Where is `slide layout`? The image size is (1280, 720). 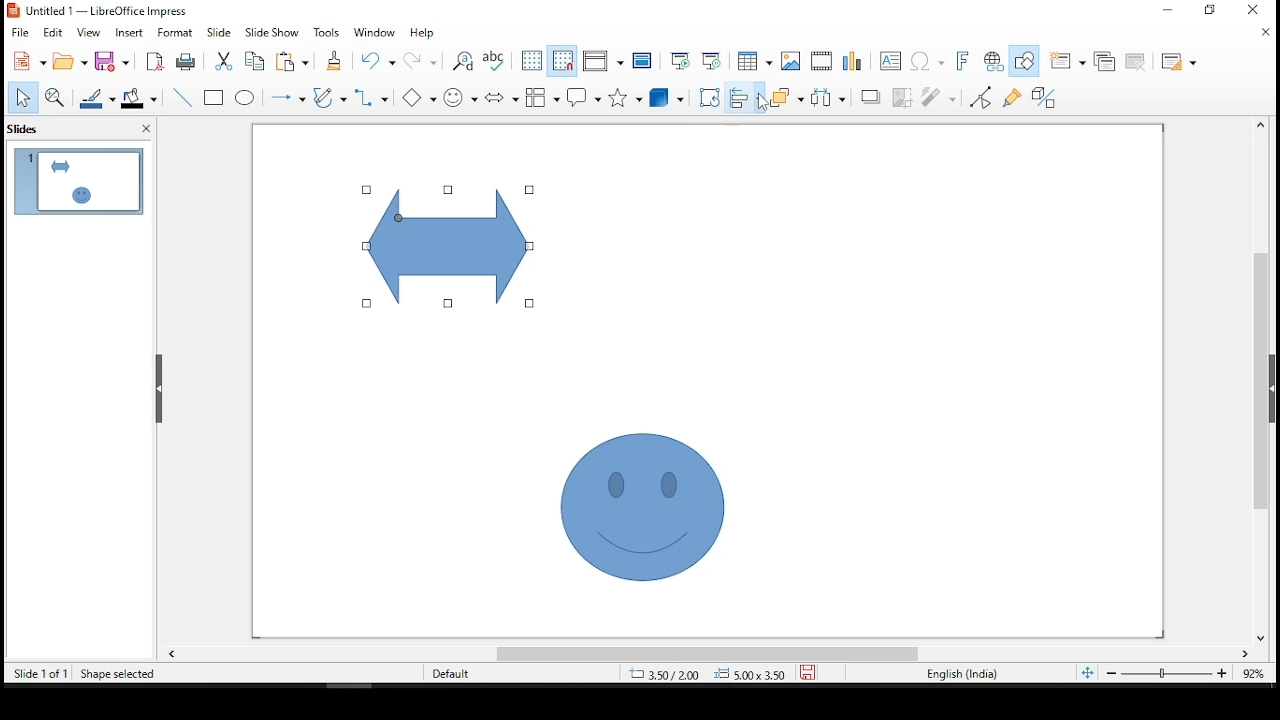 slide layout is located at coordinates (1180, 62).